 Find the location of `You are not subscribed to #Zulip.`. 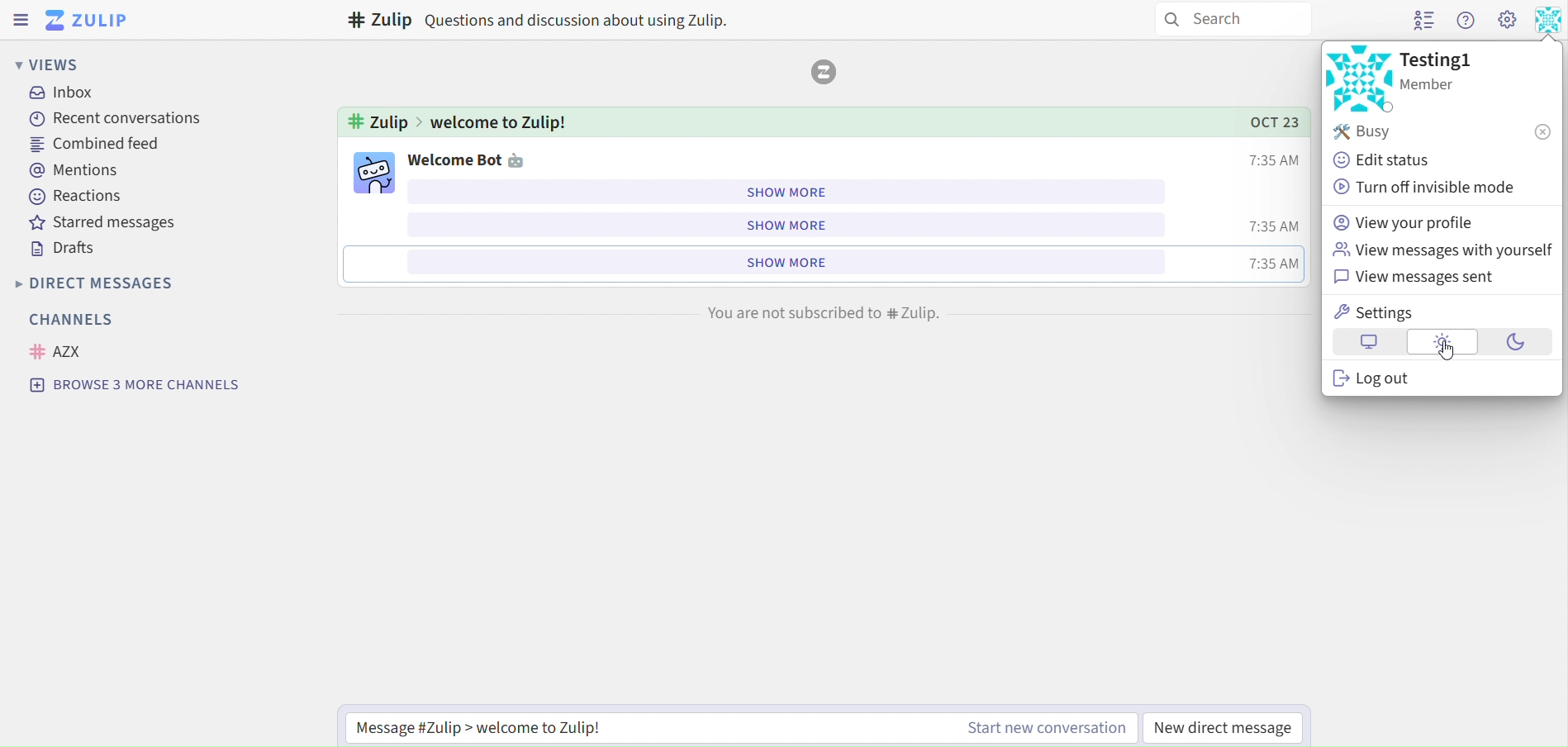

You are not subscribed to #Zulip. is located at coordinates (828, 311).